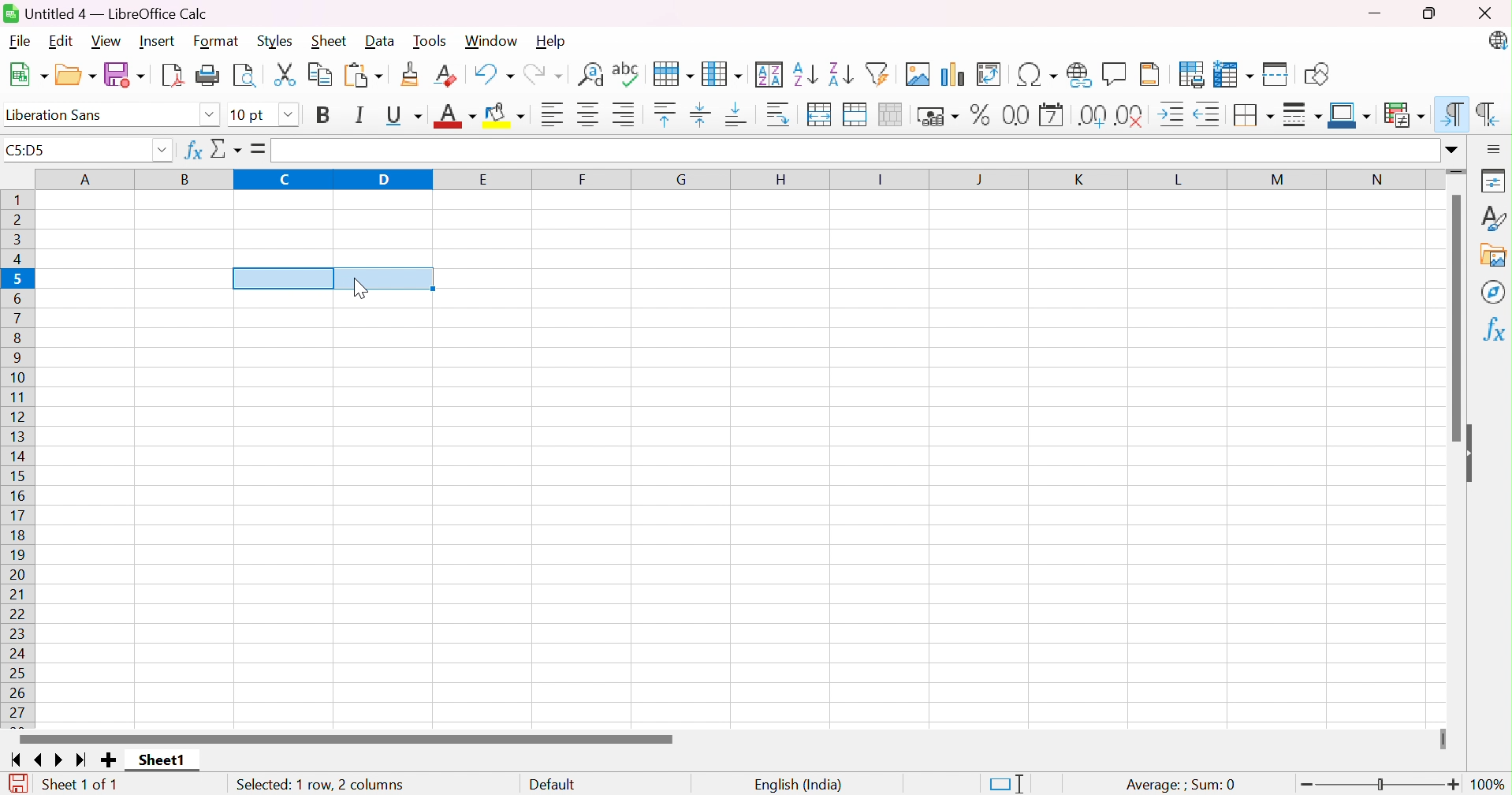 This screenshot has height=795, width=1512. Describe the element at coordinates (363, 288) in the screenshot. I see `Cursor` at that location.